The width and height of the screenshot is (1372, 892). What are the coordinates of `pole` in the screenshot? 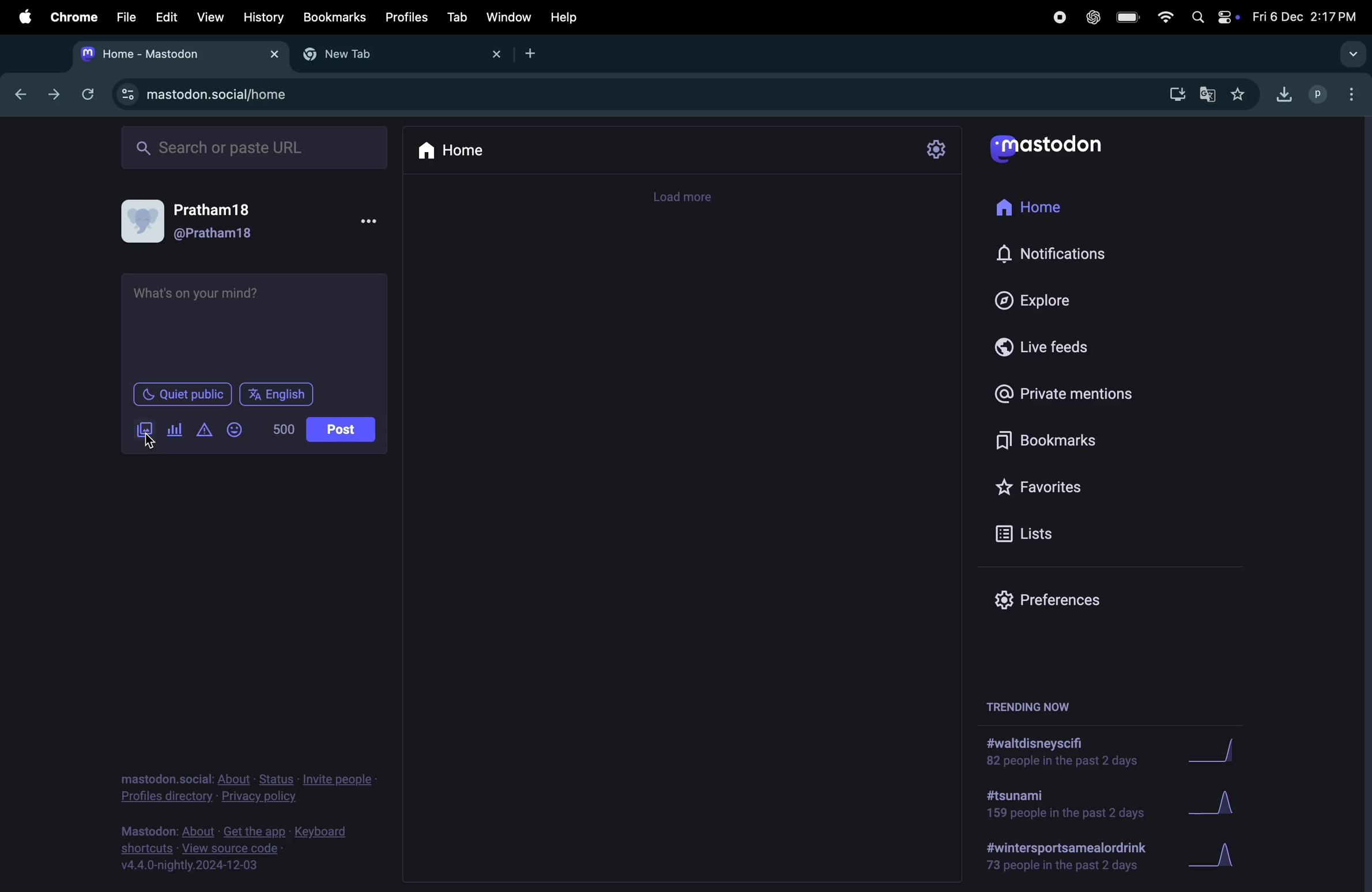 It's located at (175, 429).